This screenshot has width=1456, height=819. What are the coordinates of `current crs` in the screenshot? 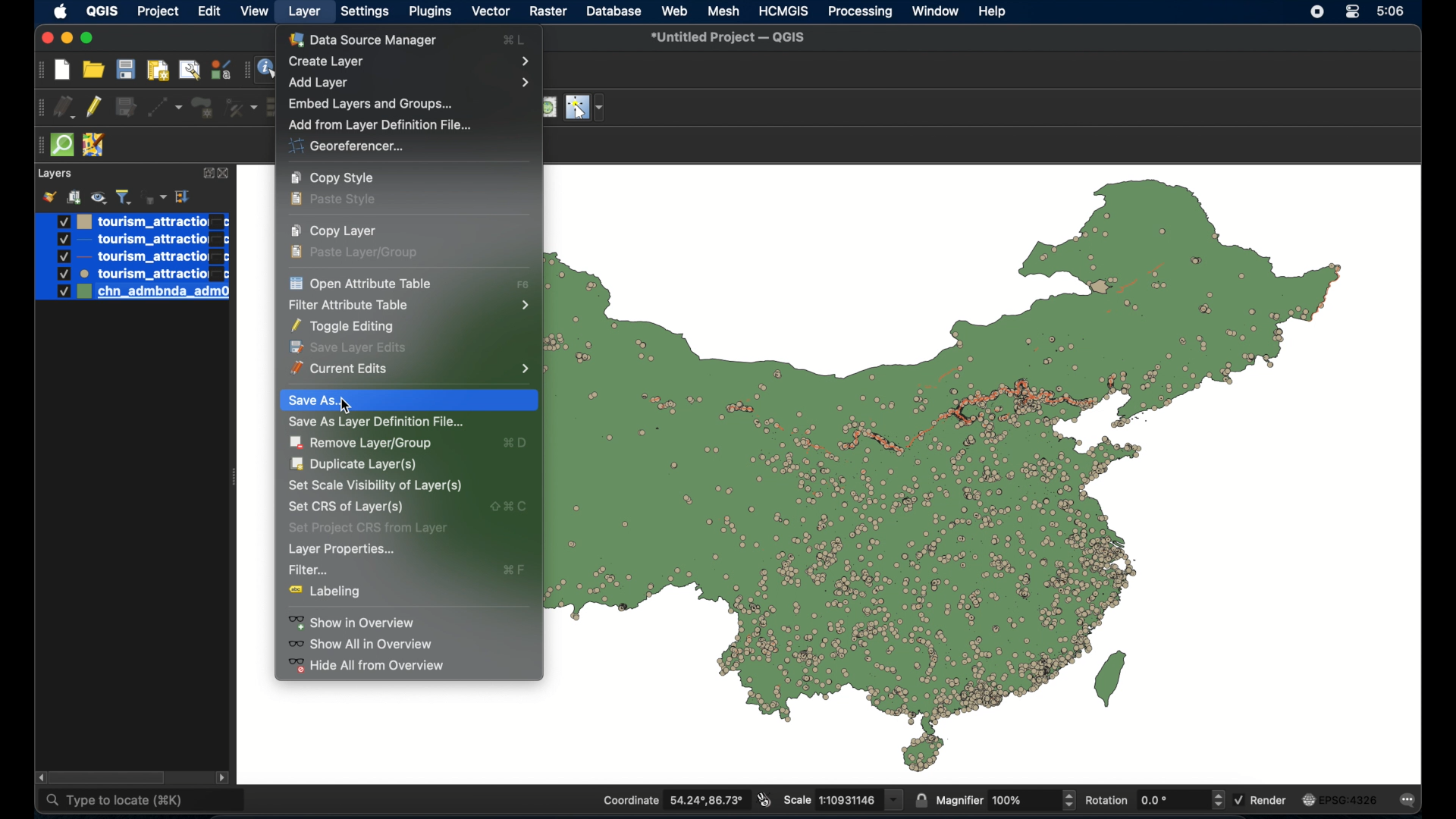 It's located at (1341, 799).